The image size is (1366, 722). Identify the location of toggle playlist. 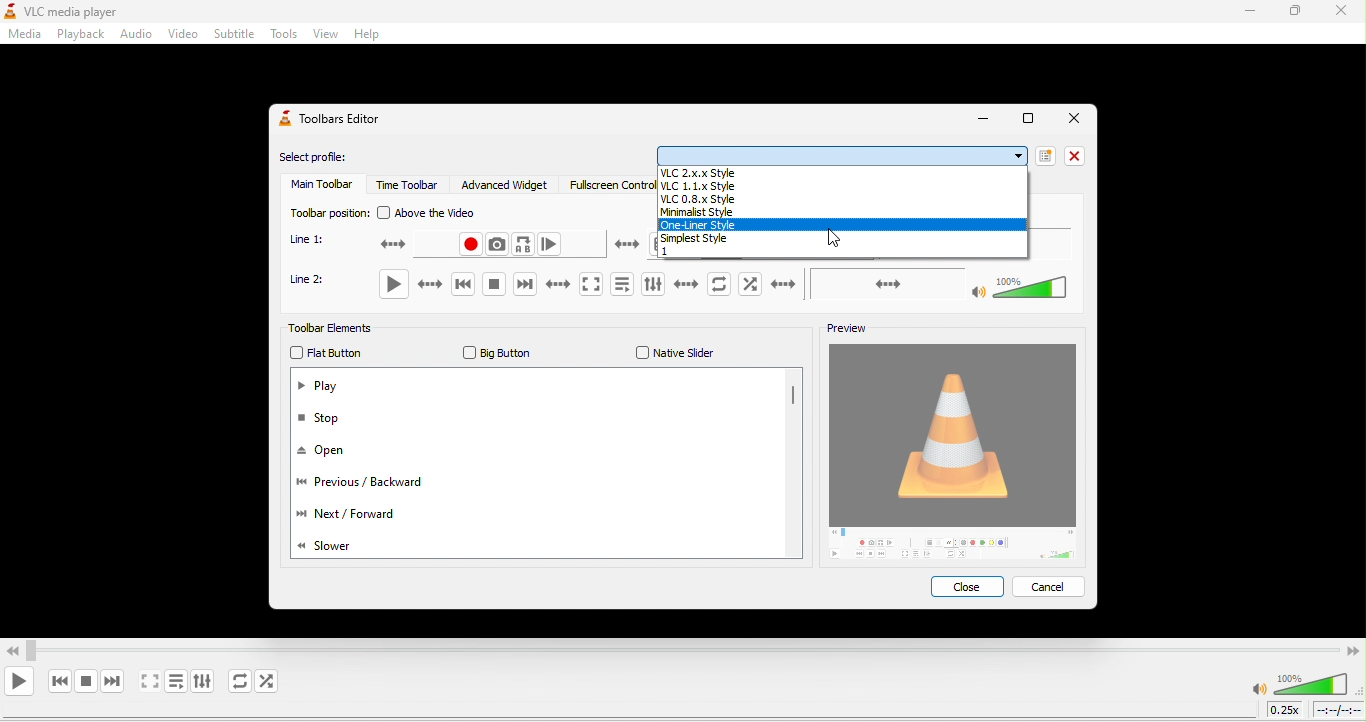
(175, 684).